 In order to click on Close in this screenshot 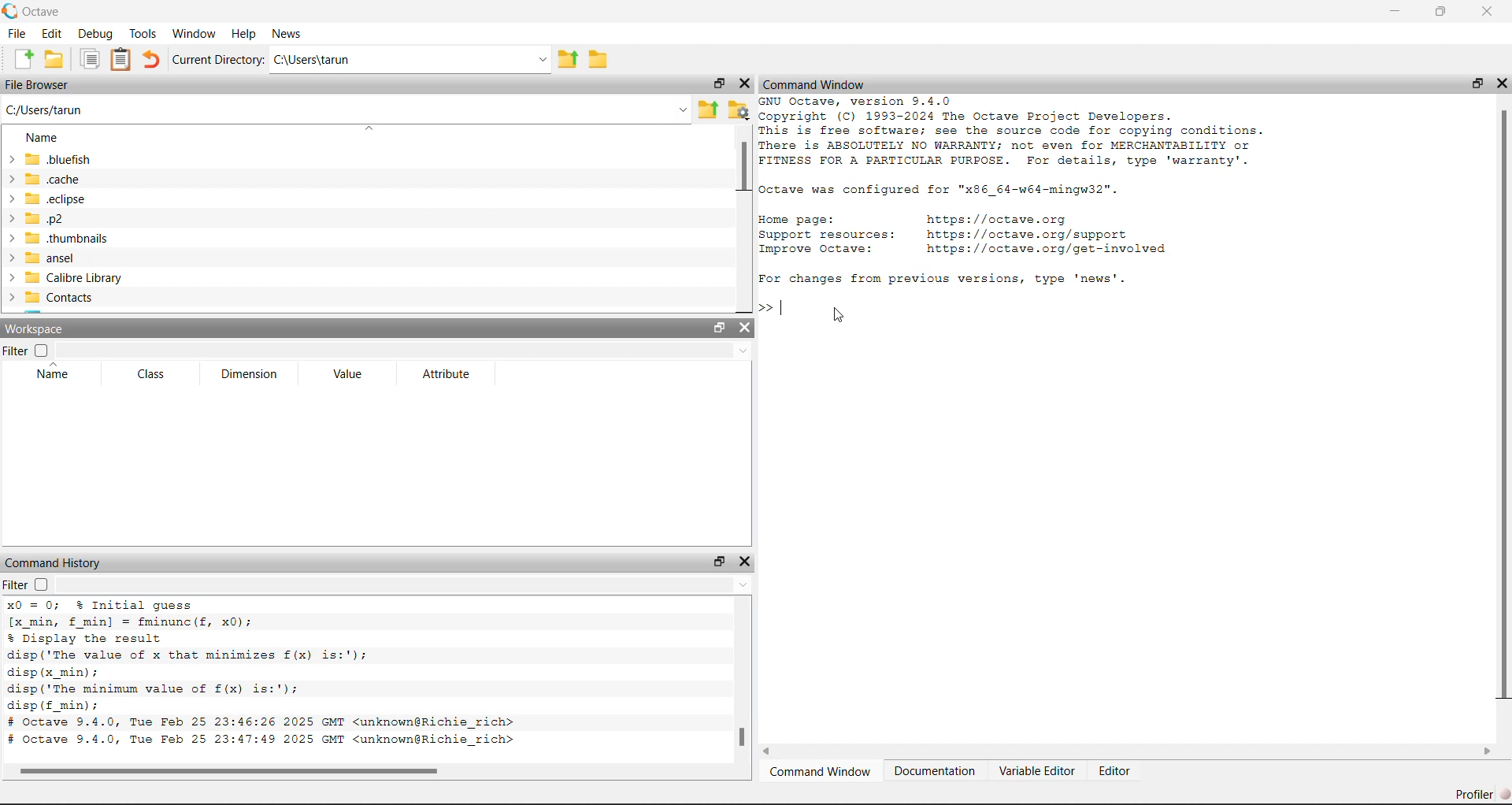, I will do `click(1485, 14)`.